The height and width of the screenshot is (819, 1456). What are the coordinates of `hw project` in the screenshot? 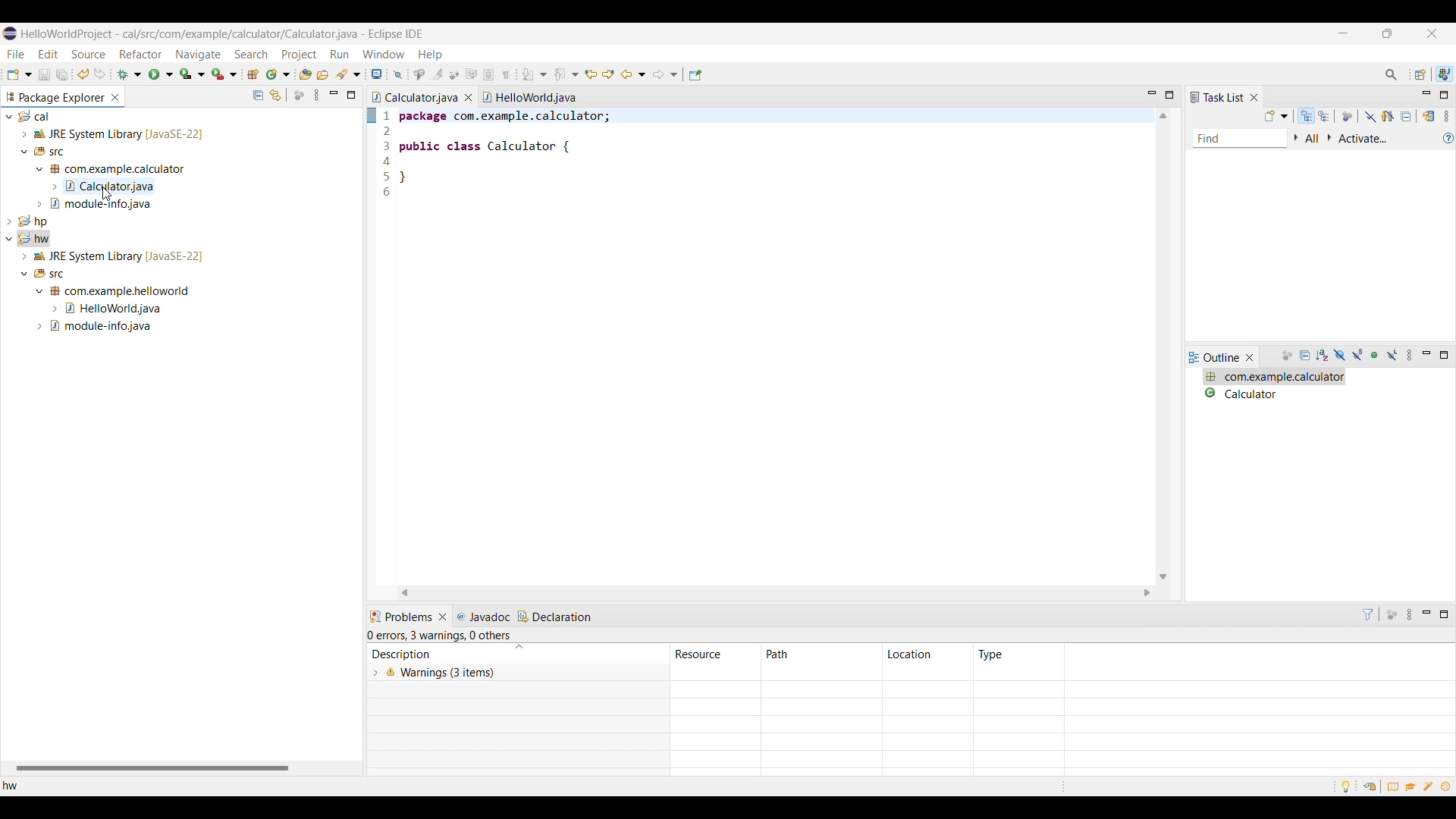 It's located at (177, 283).